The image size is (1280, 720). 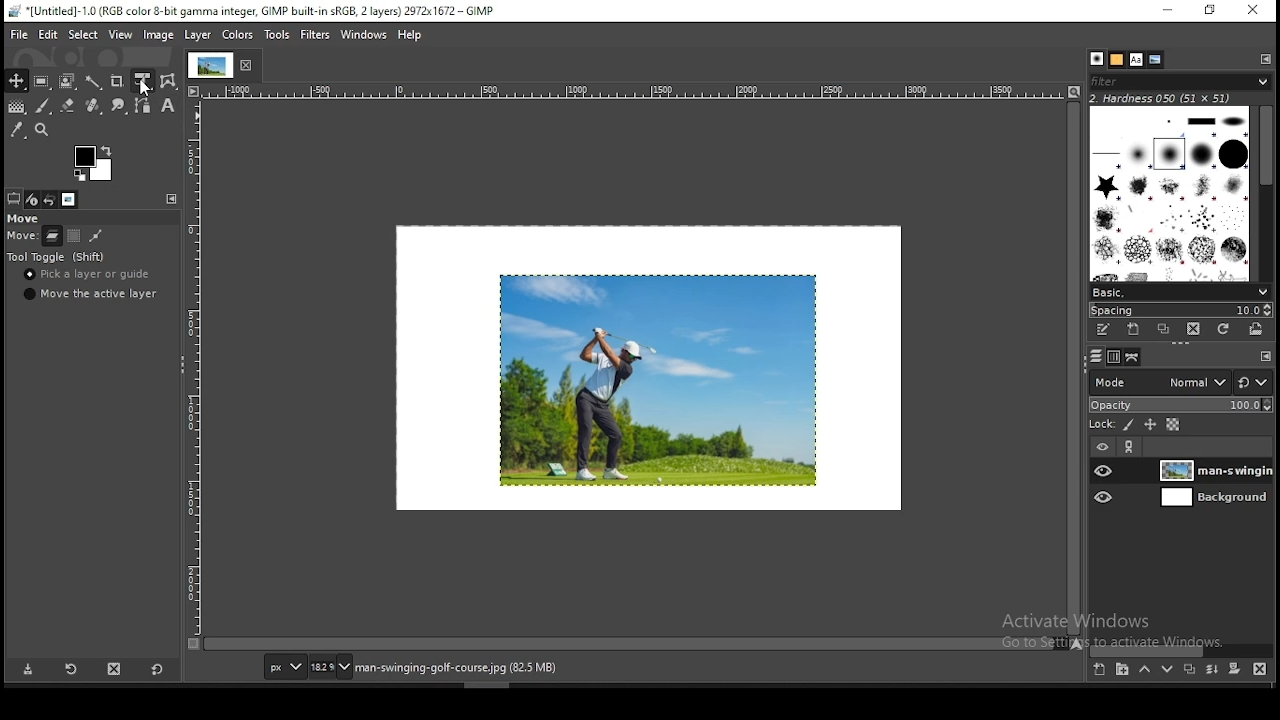 What do you see at coordinates (1105, 333) in the screenshot?
I see `edit this brush` at bounding box center [1105, 333].